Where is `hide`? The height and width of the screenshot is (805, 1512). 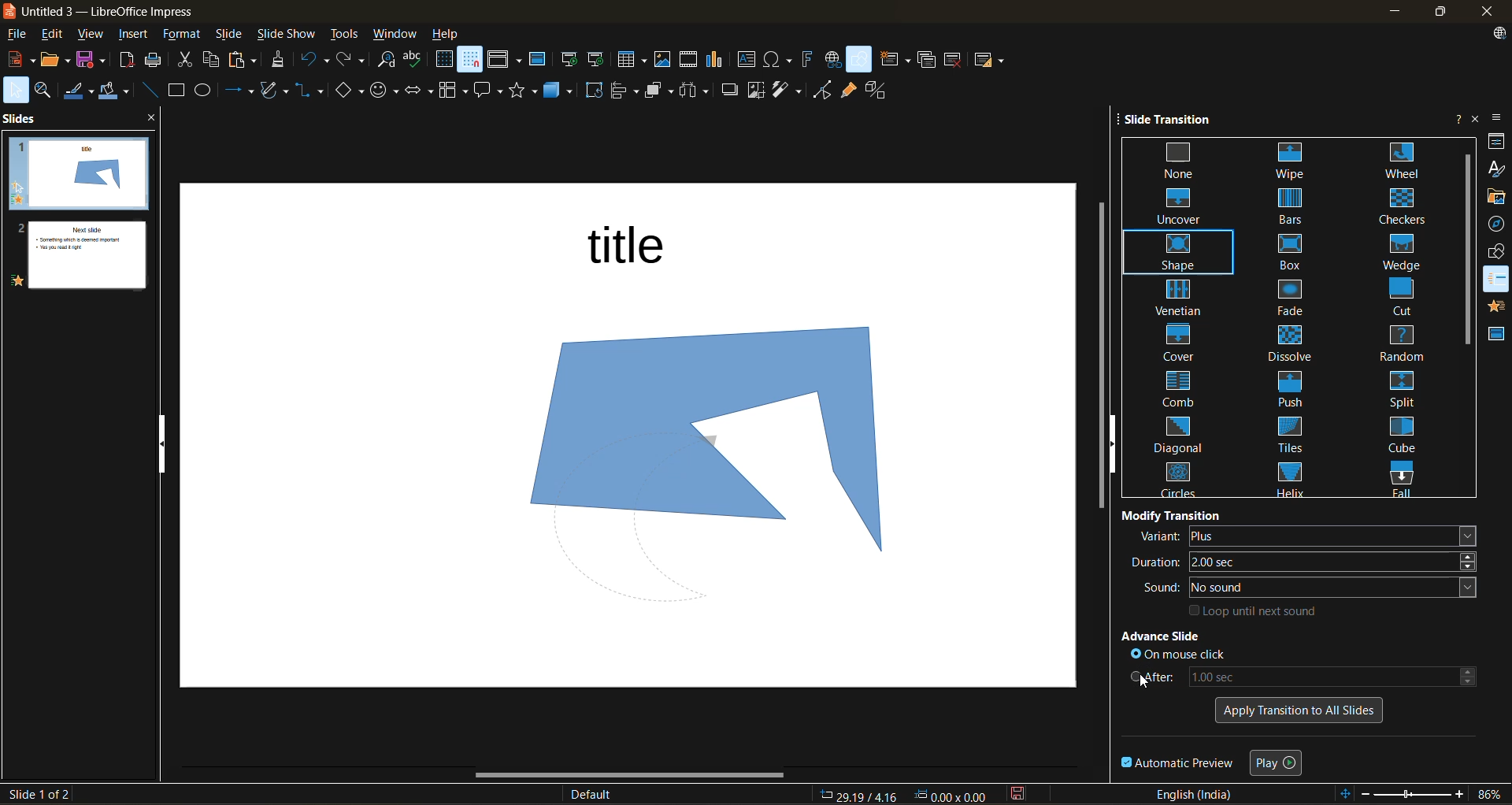 hide is located at coordinates (1115, 444).